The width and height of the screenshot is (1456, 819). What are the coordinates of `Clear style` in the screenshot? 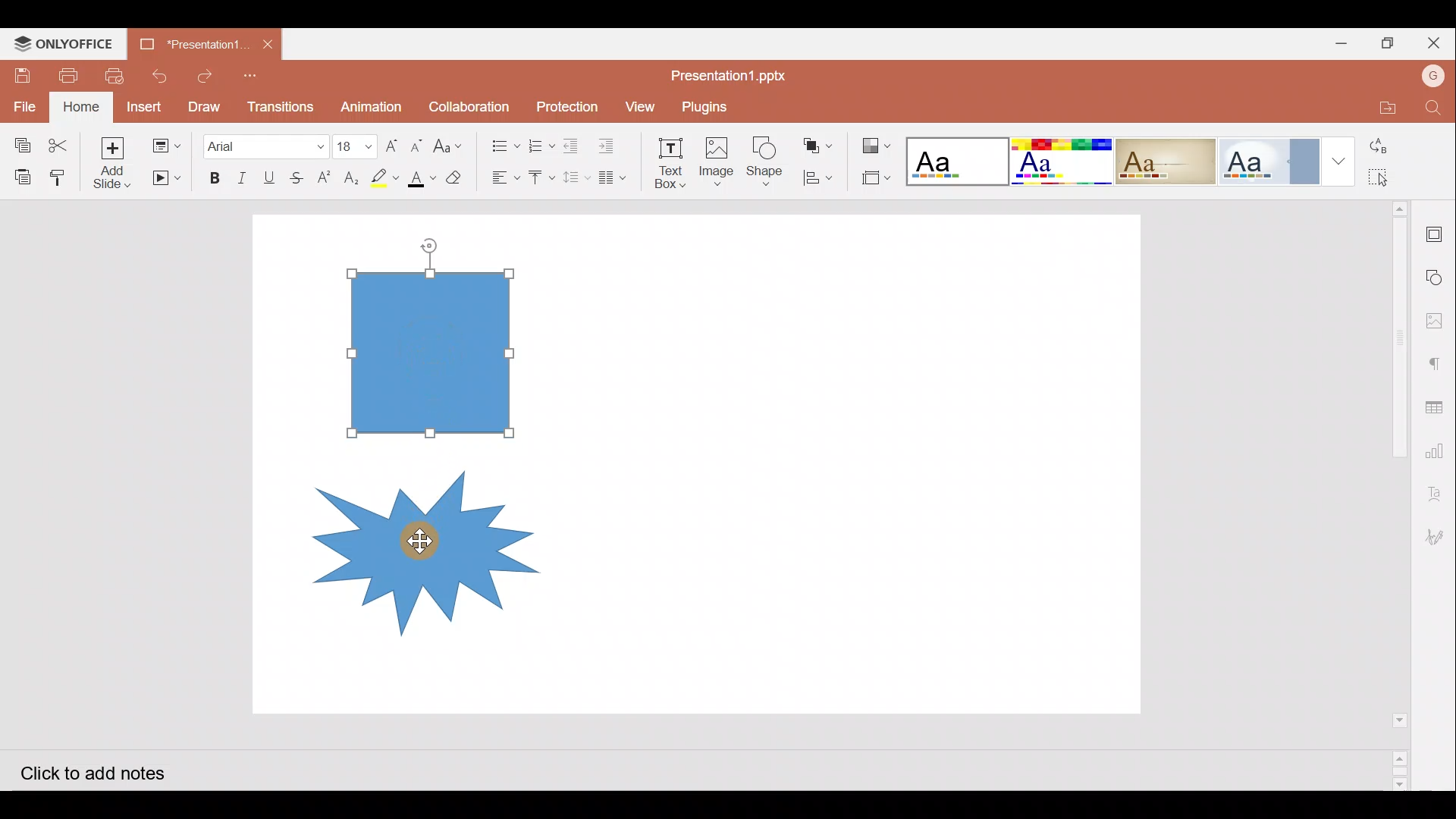 It's located at (456, 176).